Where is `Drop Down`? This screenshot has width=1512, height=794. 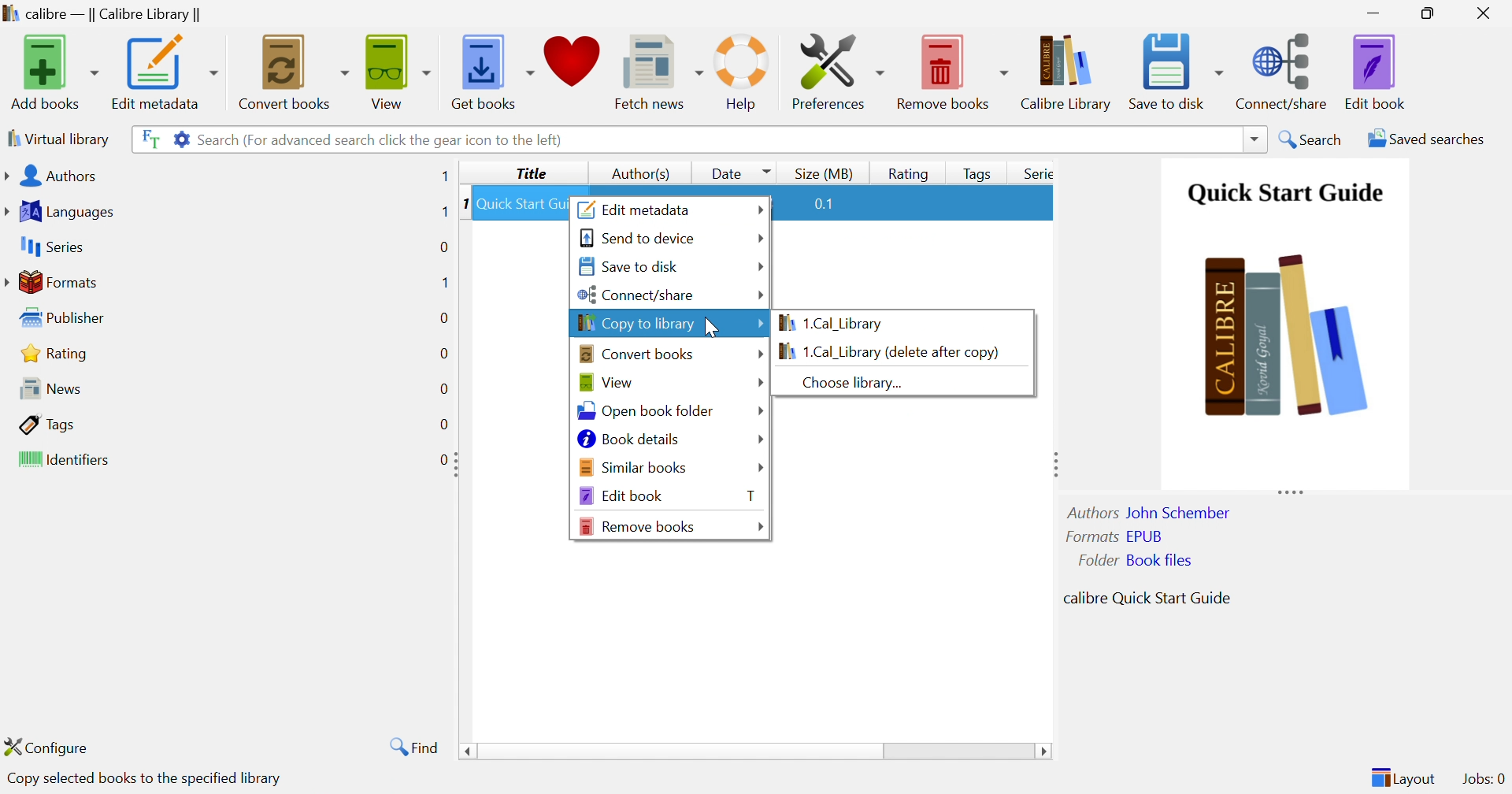 Drop Down is located at coordinates (757, 383).